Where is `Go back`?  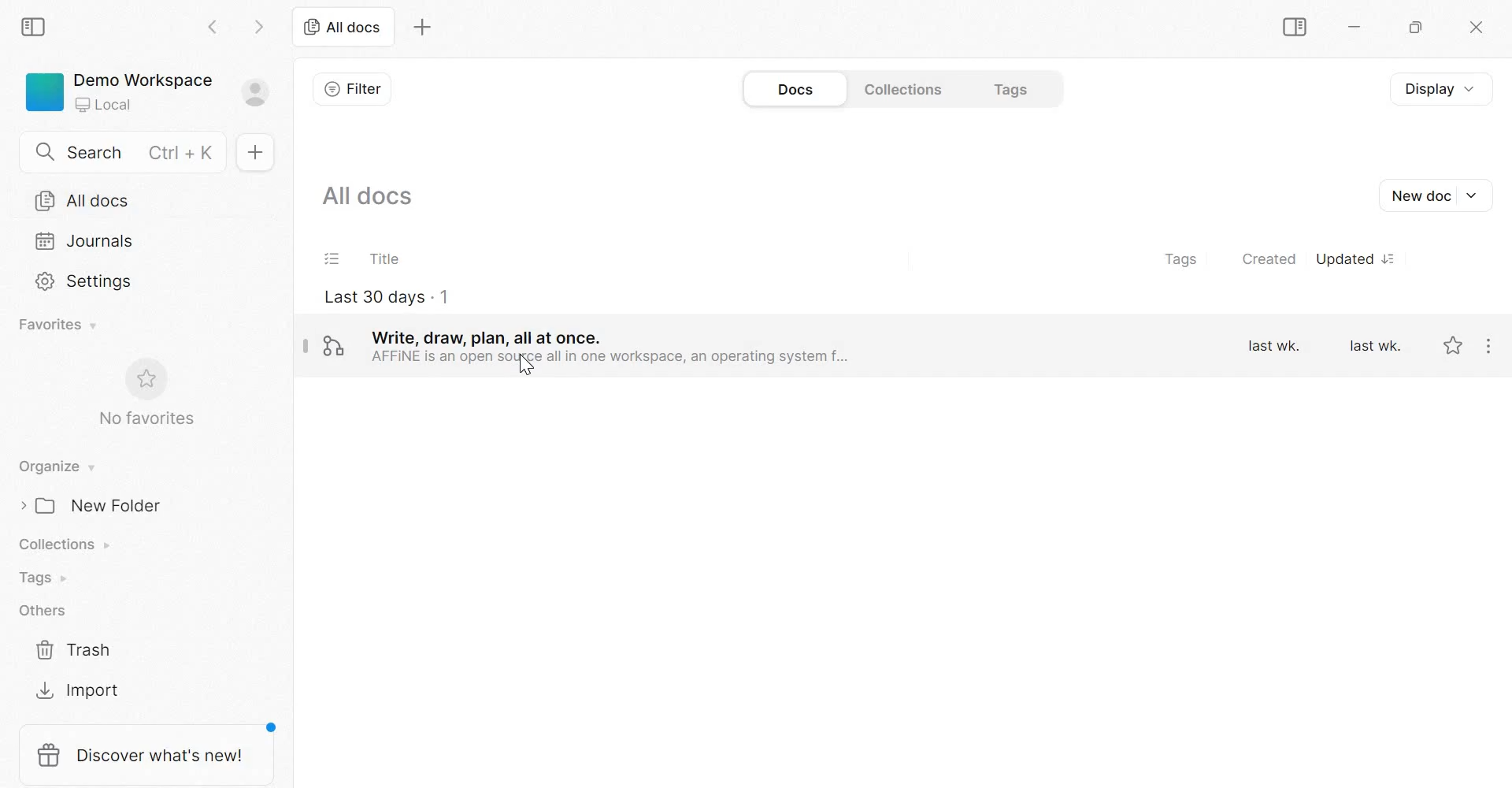
Go back is located at coordinates (217, 30).